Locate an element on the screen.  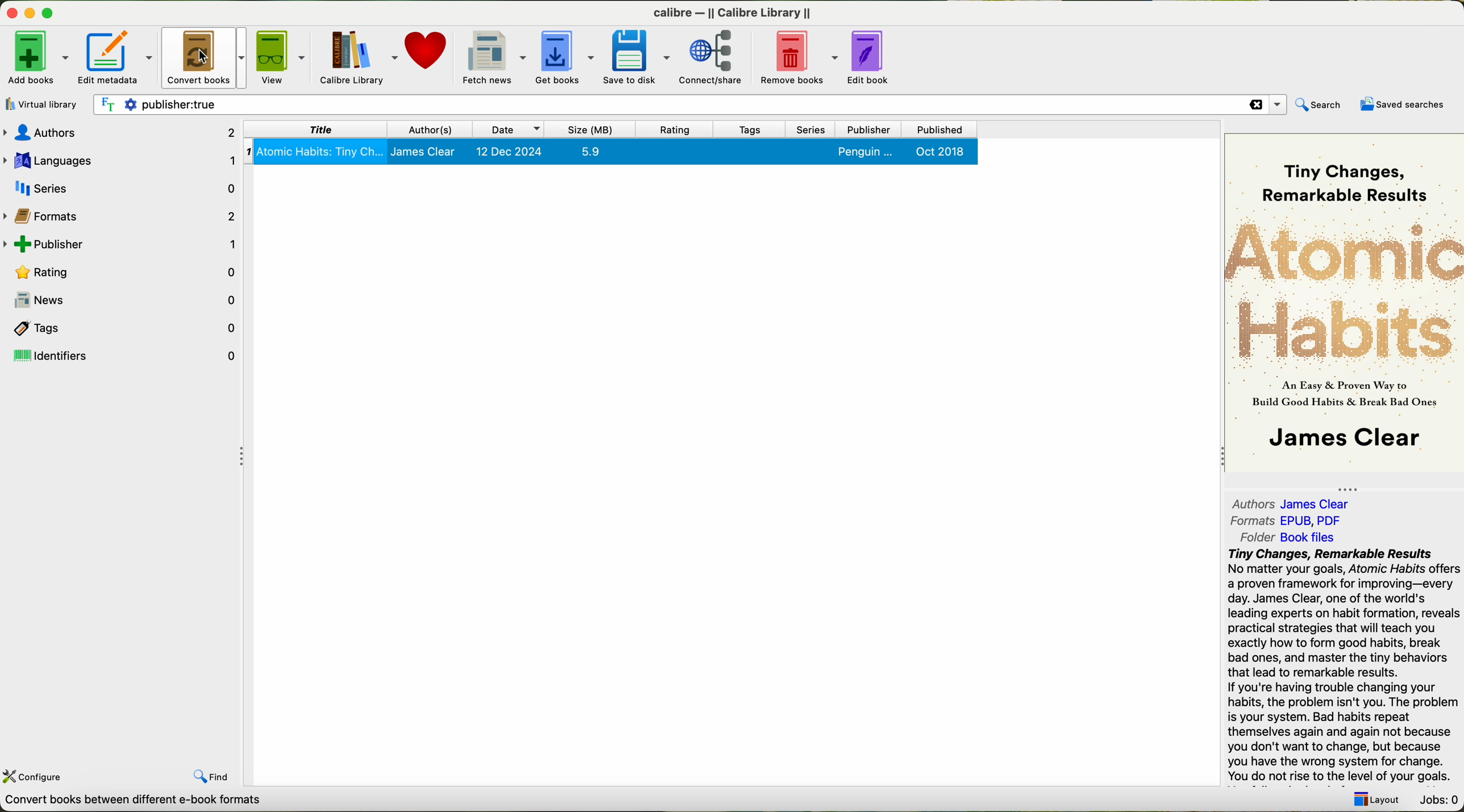
search is located at coordinates (1320, 104).